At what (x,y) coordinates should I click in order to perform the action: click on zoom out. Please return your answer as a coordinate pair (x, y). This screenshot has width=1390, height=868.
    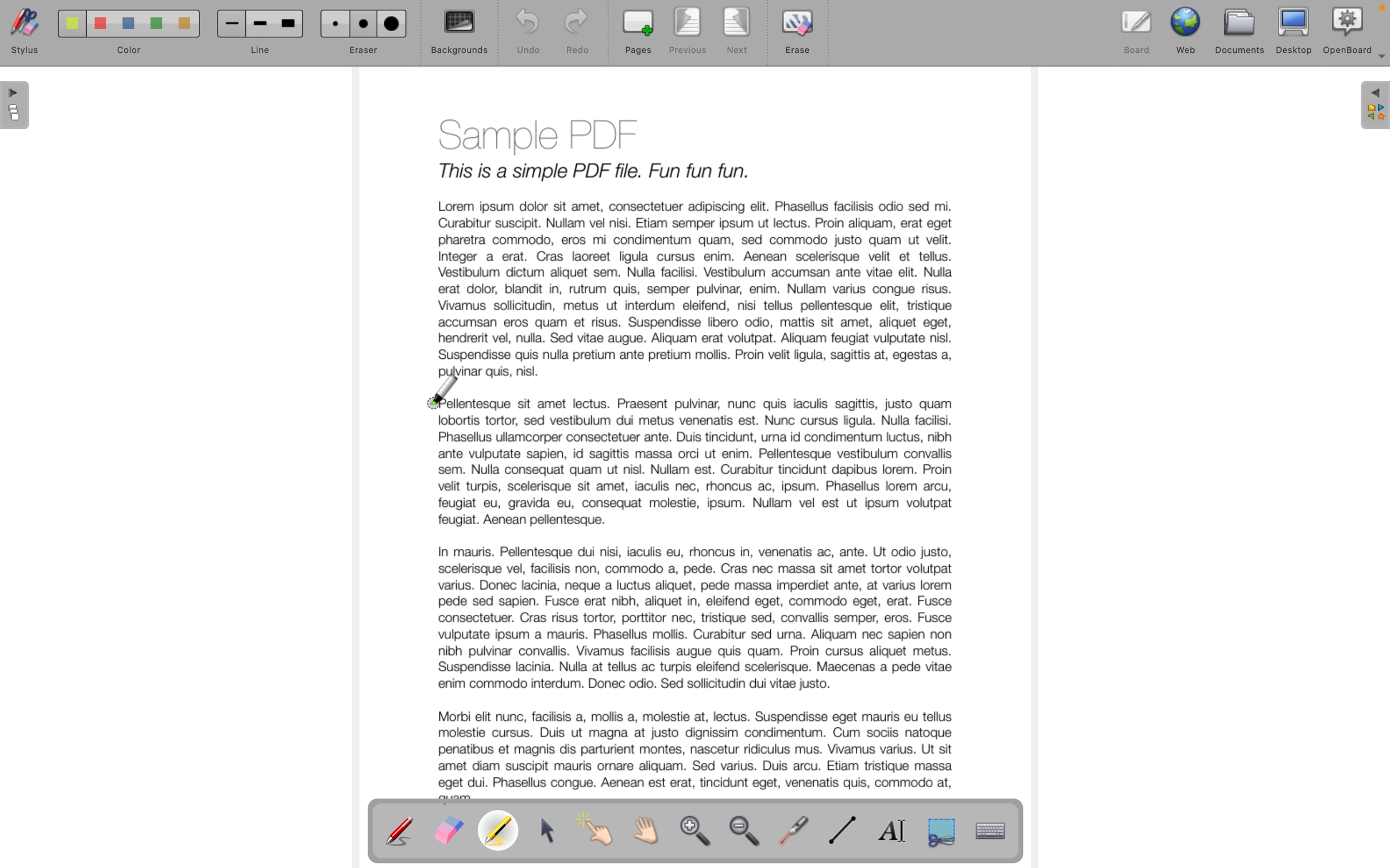
    Looking at the image, I should click on (748, 834).